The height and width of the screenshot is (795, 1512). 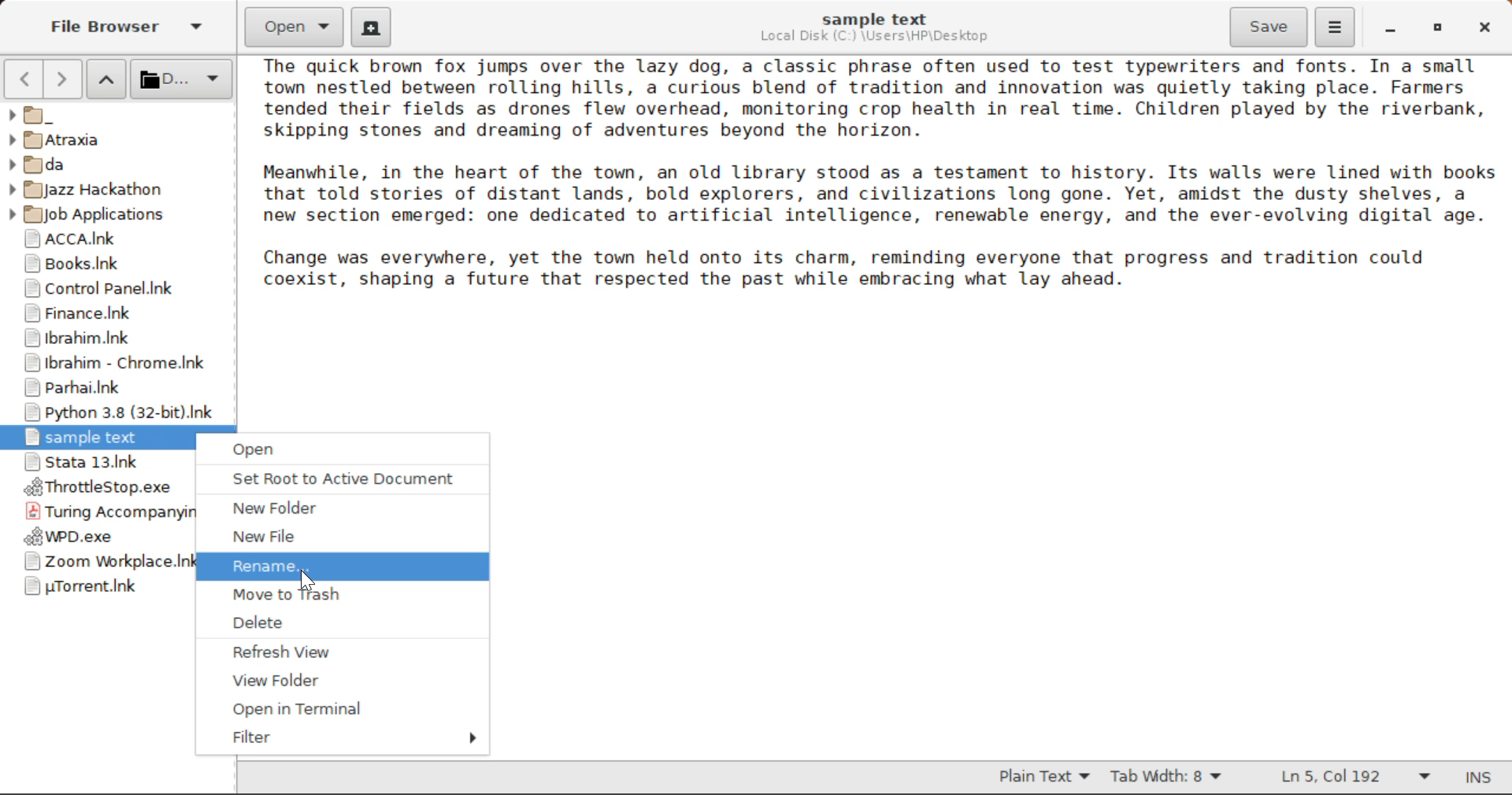 What do you see at coordinates (346, 567) in the screenshot?
I see `Cursor on Rename Button ` at bounding box center [346, 567].